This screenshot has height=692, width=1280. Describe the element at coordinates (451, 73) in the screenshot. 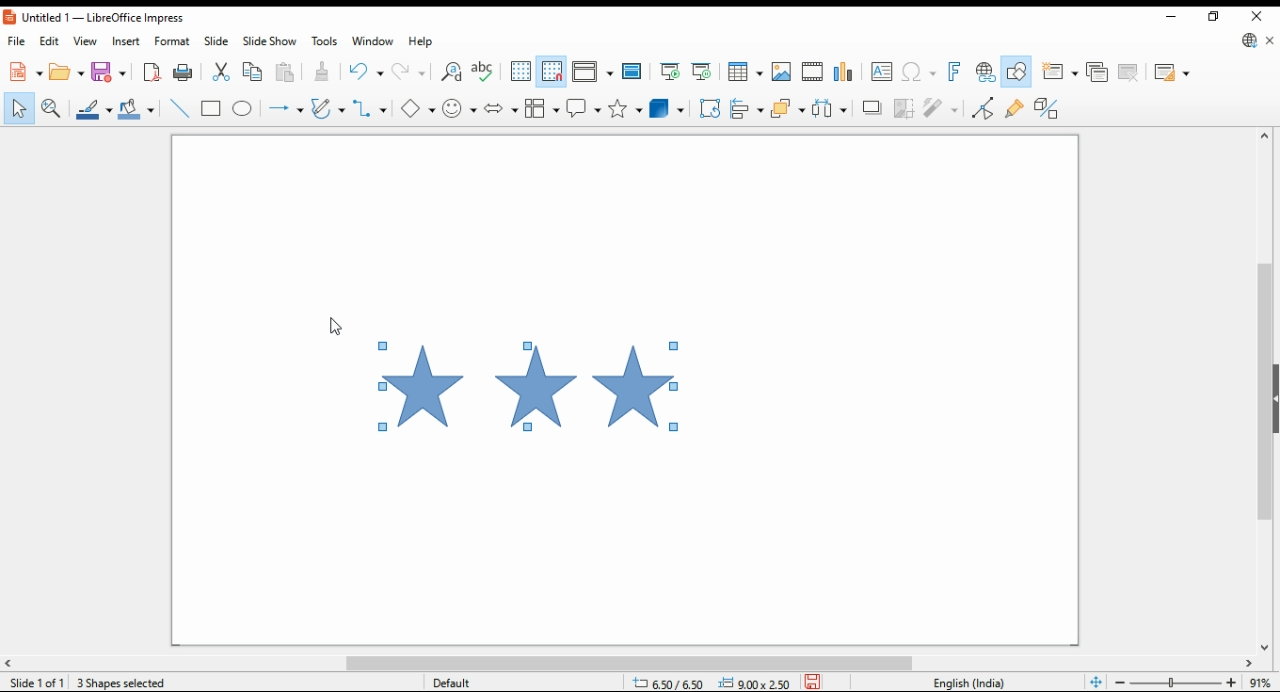

I see `find and replace` at that location.